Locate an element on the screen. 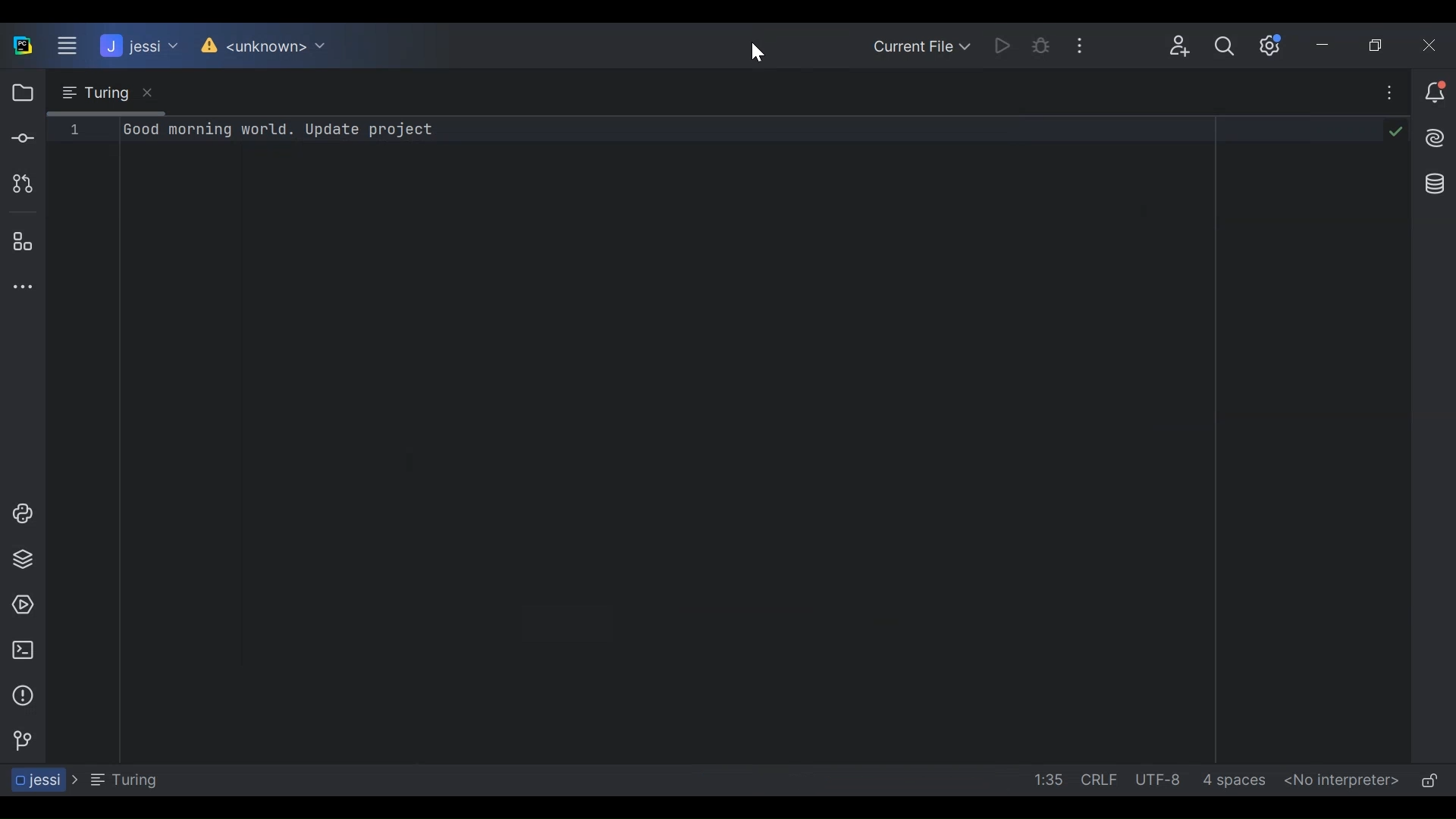 The width and height of the screenshot is (1456, 819). No interpreters is located at coordinates (1338, 782).